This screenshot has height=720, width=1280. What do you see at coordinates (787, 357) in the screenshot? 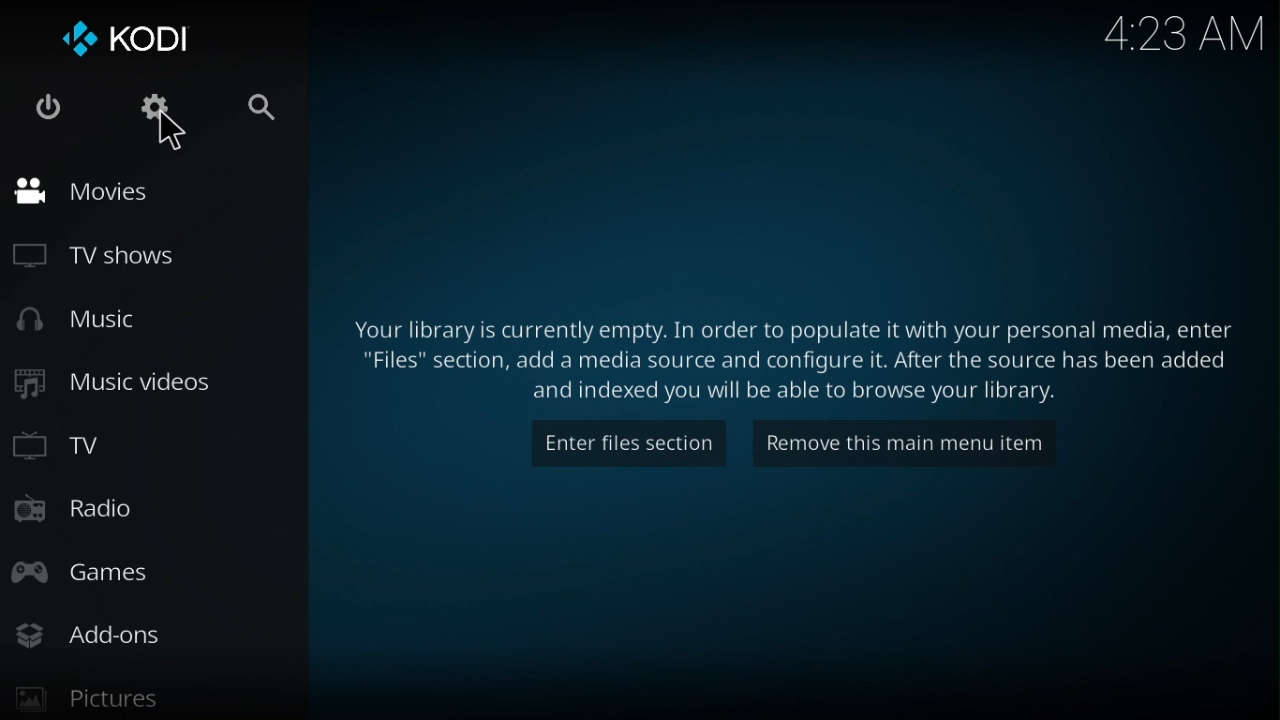
I see `Text` at bounding box center [787, 357].